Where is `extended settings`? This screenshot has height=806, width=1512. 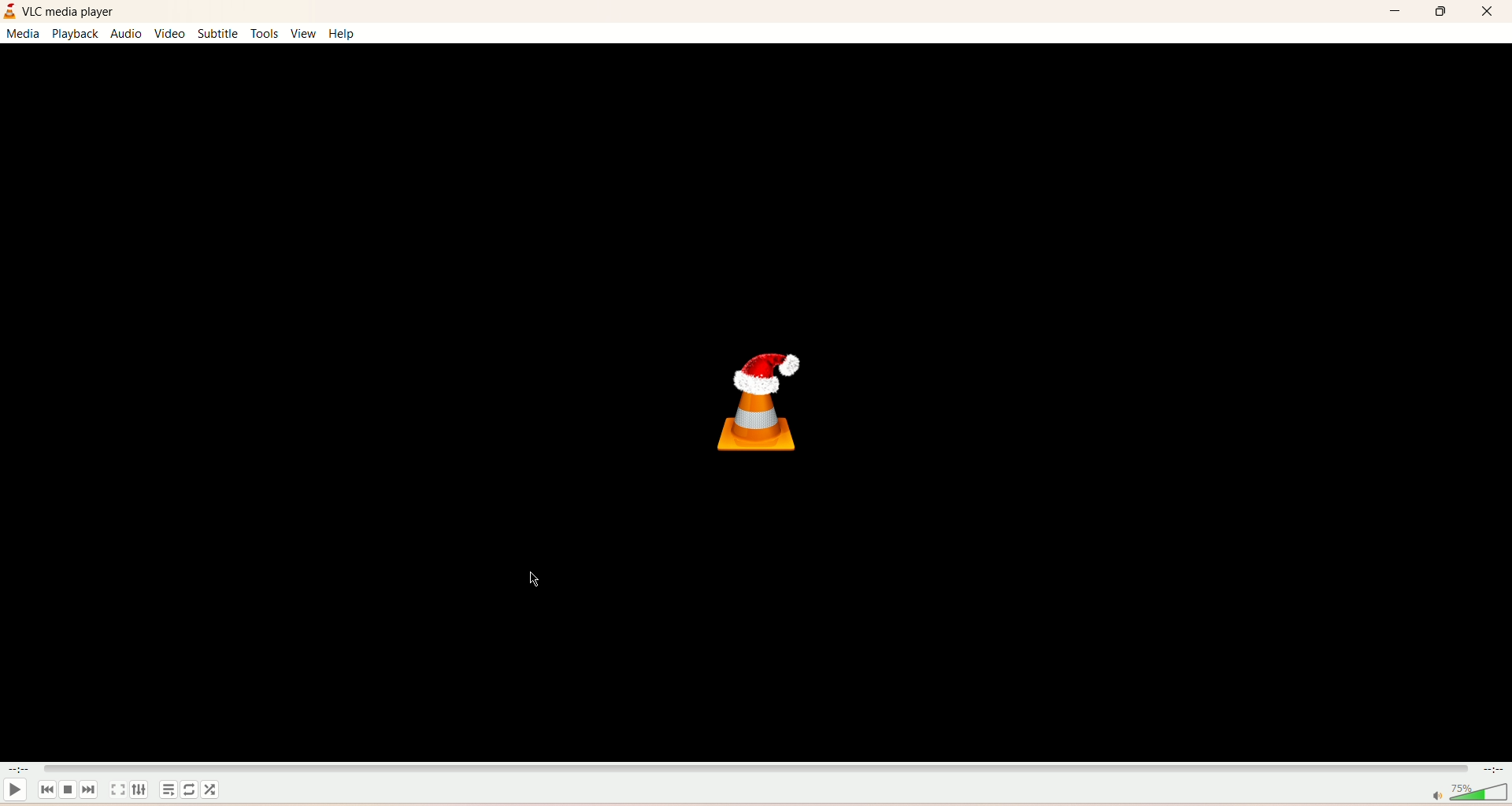
extended settings is located at coordinates (140, 789).